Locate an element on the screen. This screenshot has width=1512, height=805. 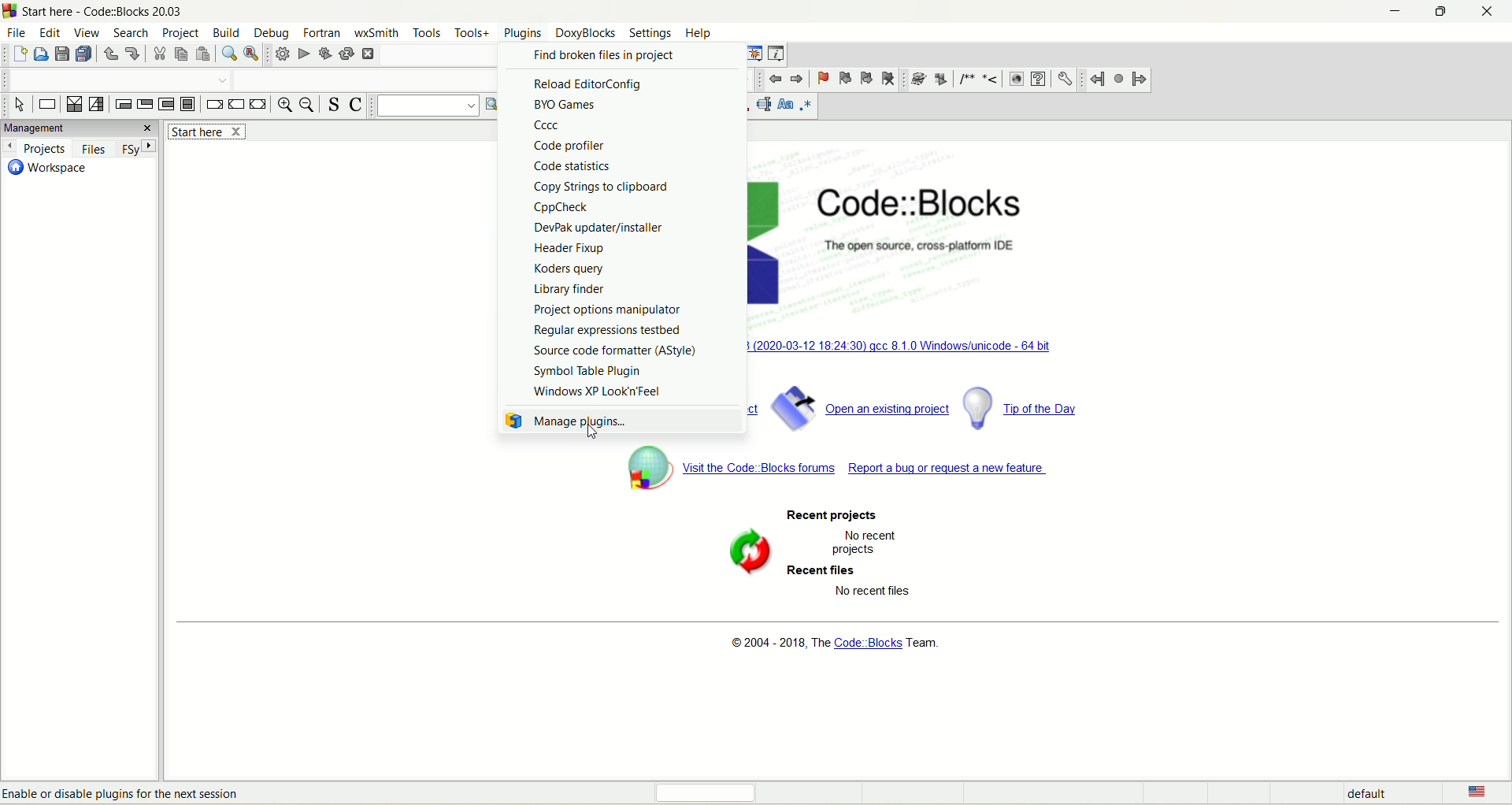
instruction is located at coordinates (46, 106).